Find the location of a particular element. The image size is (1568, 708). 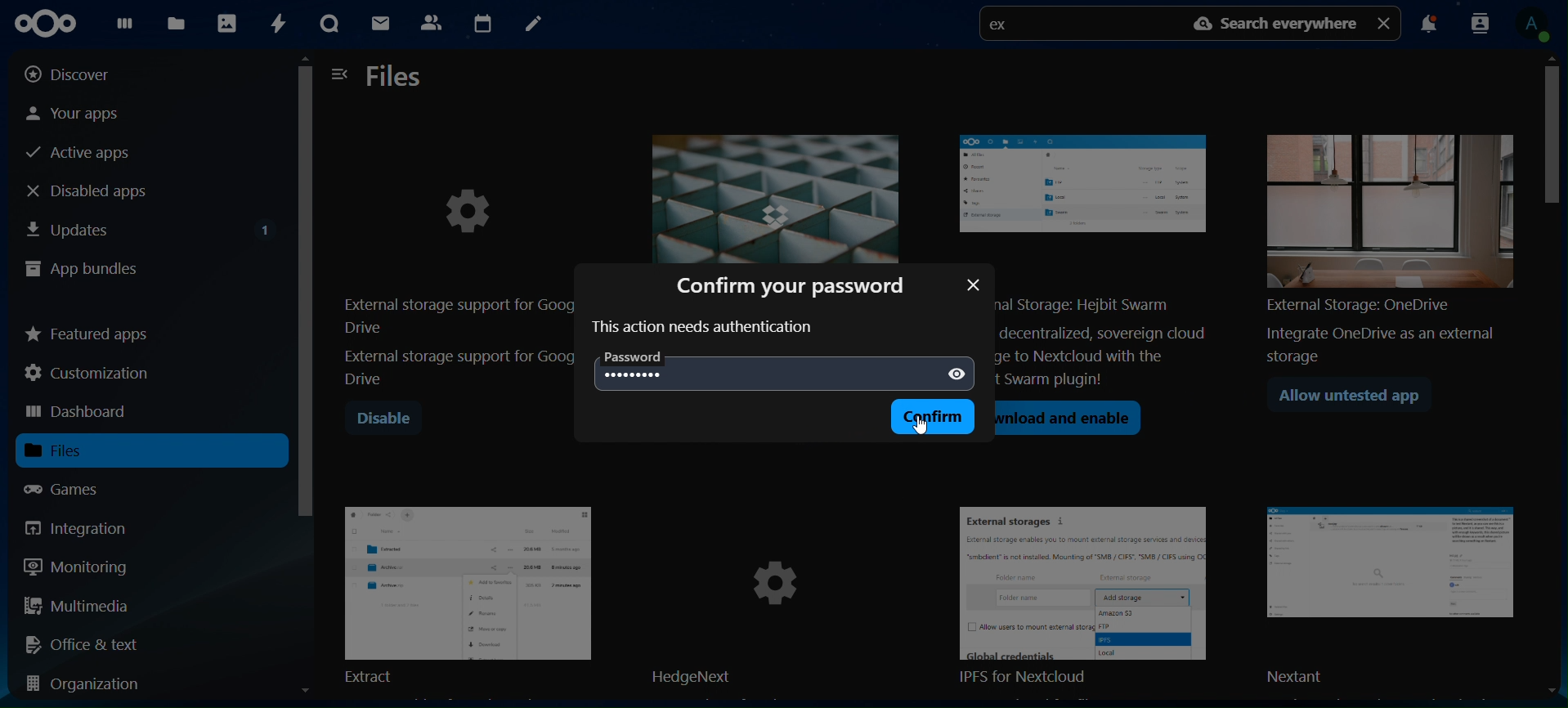

featured apps is located at coordinates (88, 330).